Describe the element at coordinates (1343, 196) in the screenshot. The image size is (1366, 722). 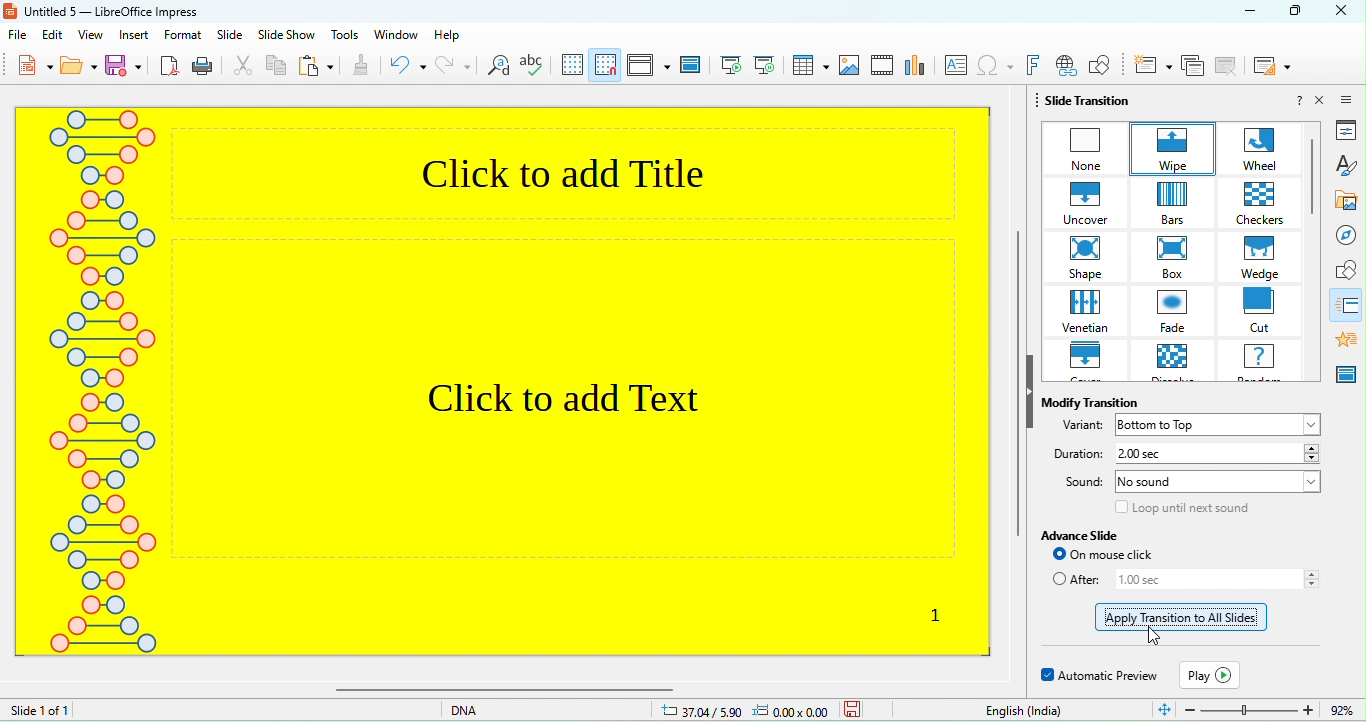
I see `gallery` at that location.